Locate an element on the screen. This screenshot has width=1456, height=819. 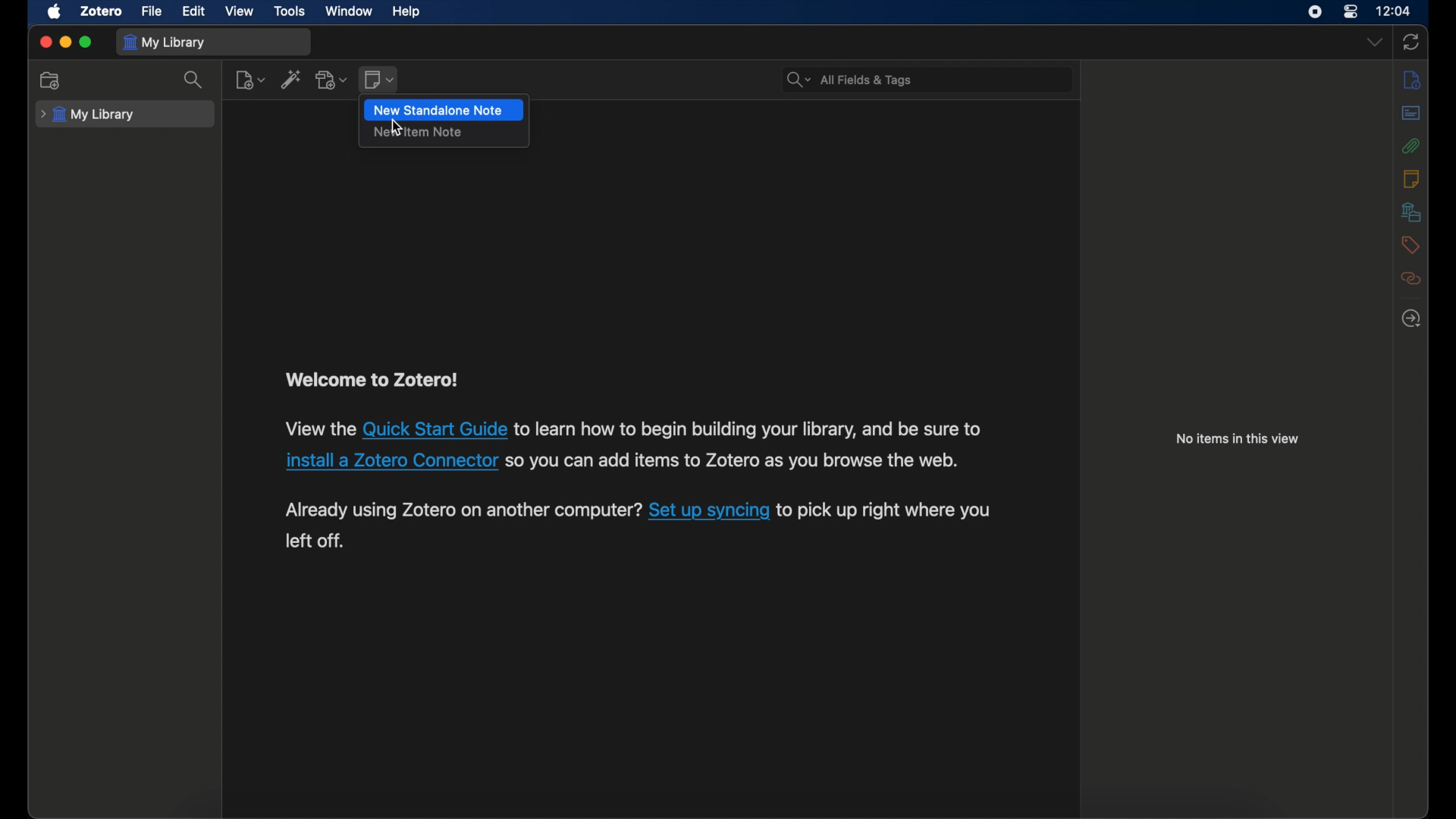
libraries is located at coordinates (1410, 212).